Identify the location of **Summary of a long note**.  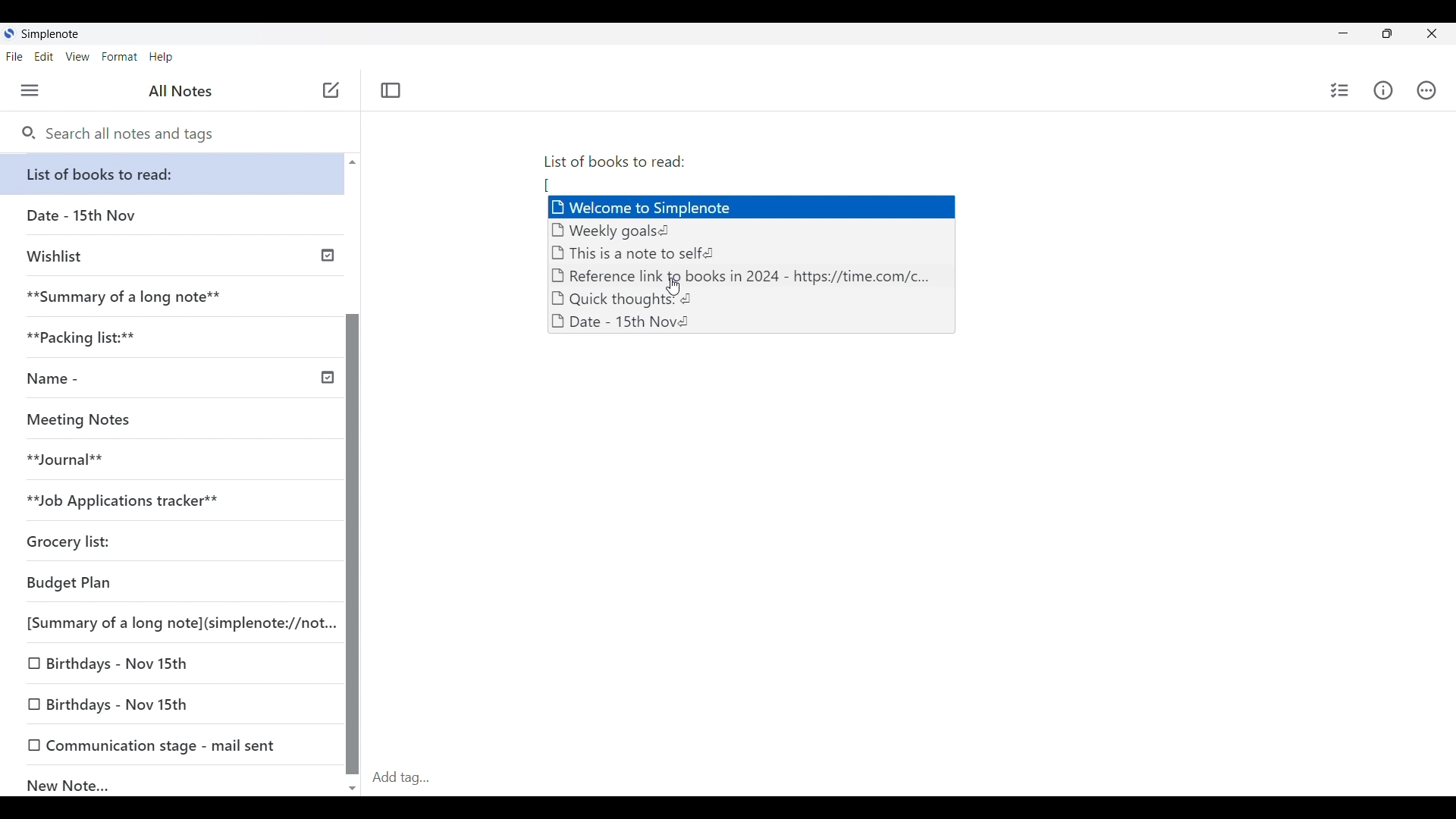
(172, 297).